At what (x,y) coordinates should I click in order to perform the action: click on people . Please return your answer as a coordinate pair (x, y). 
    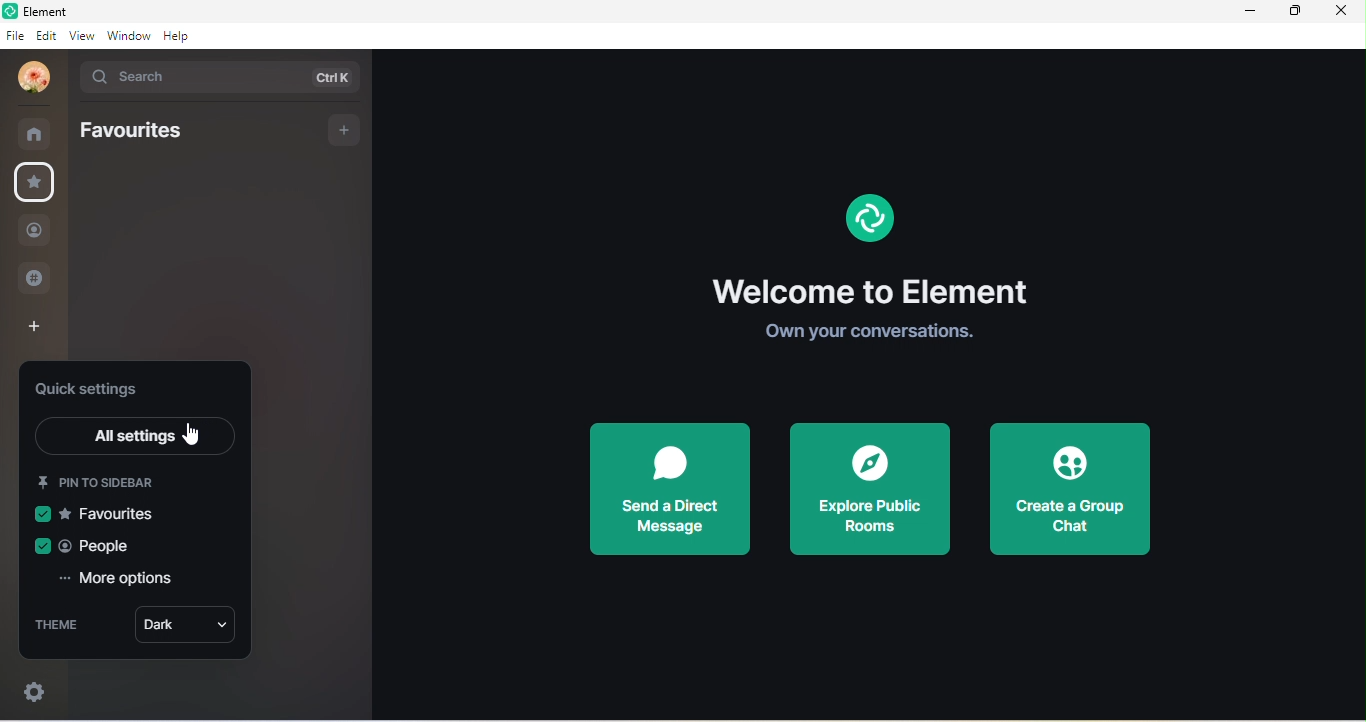
    Looking at the image, I should click on (88, 543).